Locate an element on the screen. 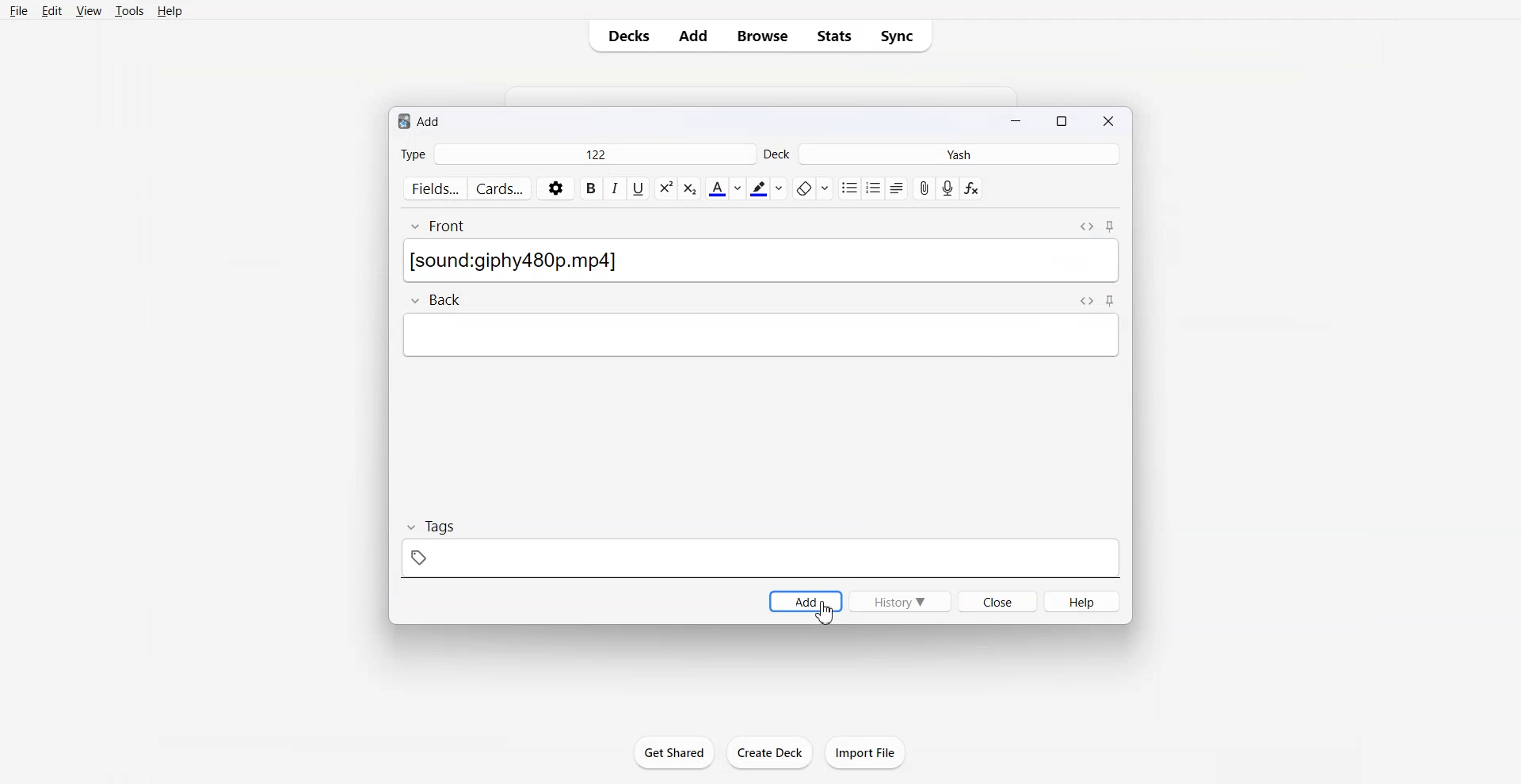 Image resolution: width=1521 pixels, height=784 pixels. Settings is located at coordinates (555, 188).